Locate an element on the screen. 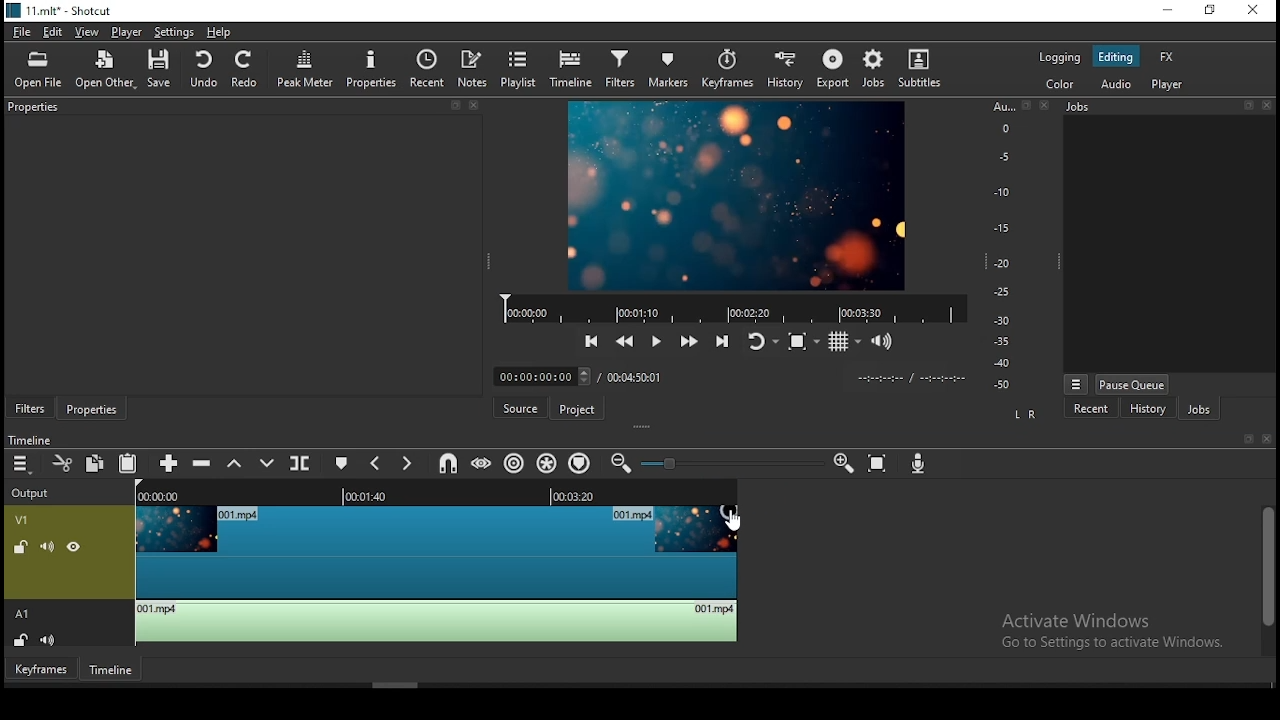 This screenshot has height=720, width=1280. properties is located at coordinates (371, 68).